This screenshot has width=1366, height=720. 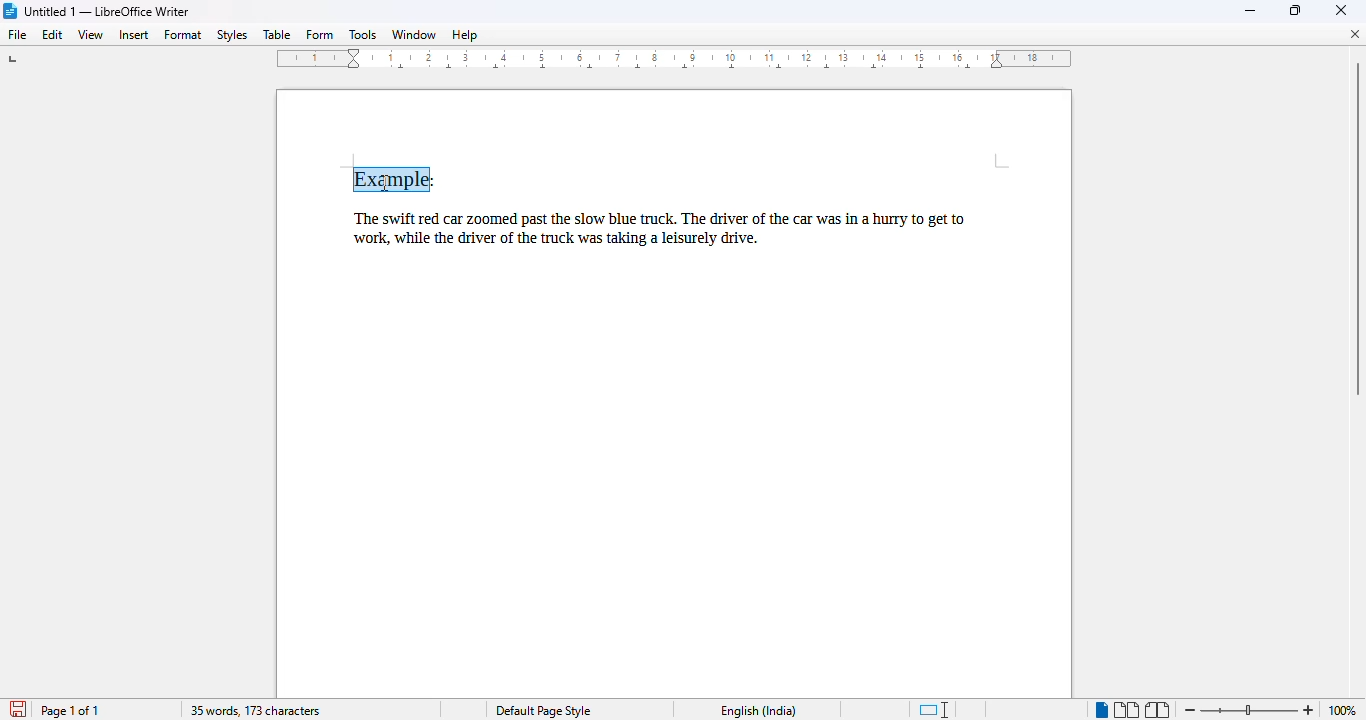 I want to click on ruler, so click(x=679, y=62).